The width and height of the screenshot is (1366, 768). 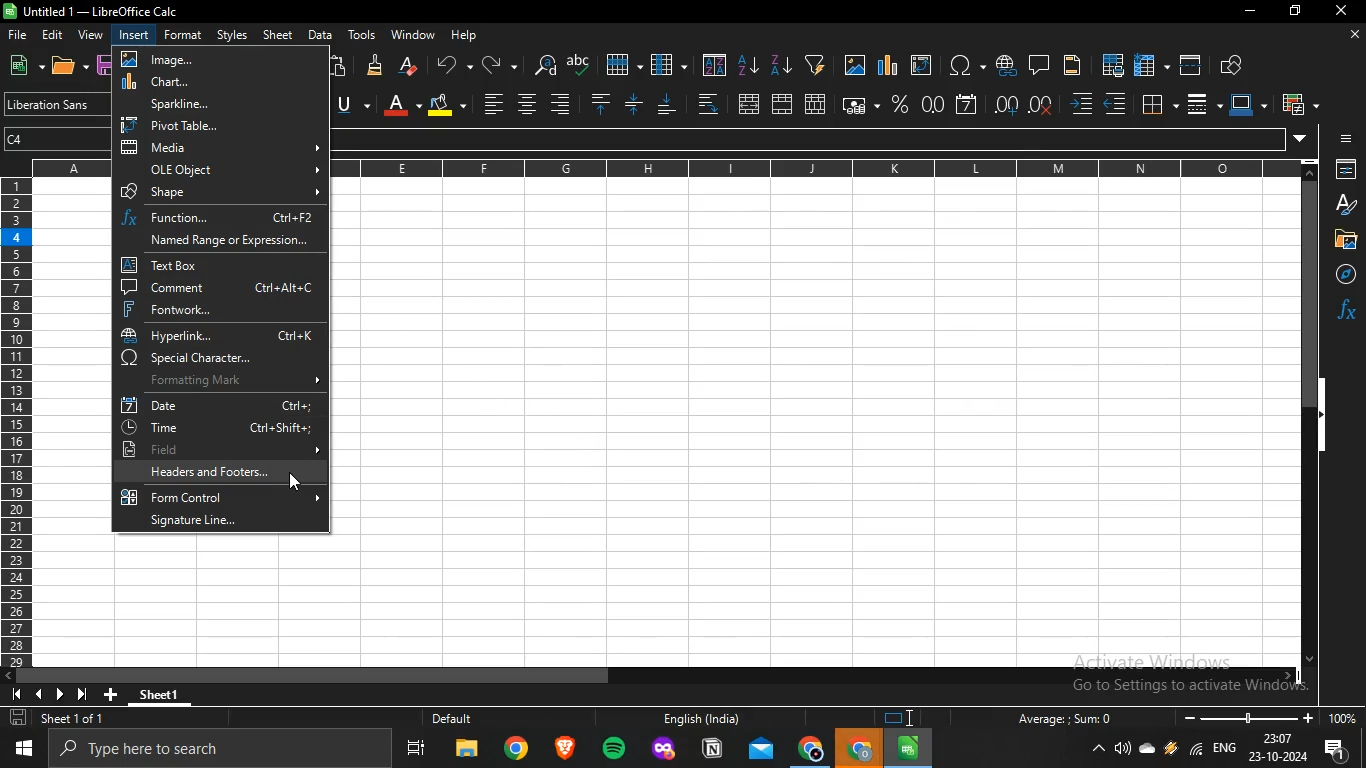 What do you see at coordinates (221, 190) in the screenshot?
I see `shape` at bounding box center [221, 190].